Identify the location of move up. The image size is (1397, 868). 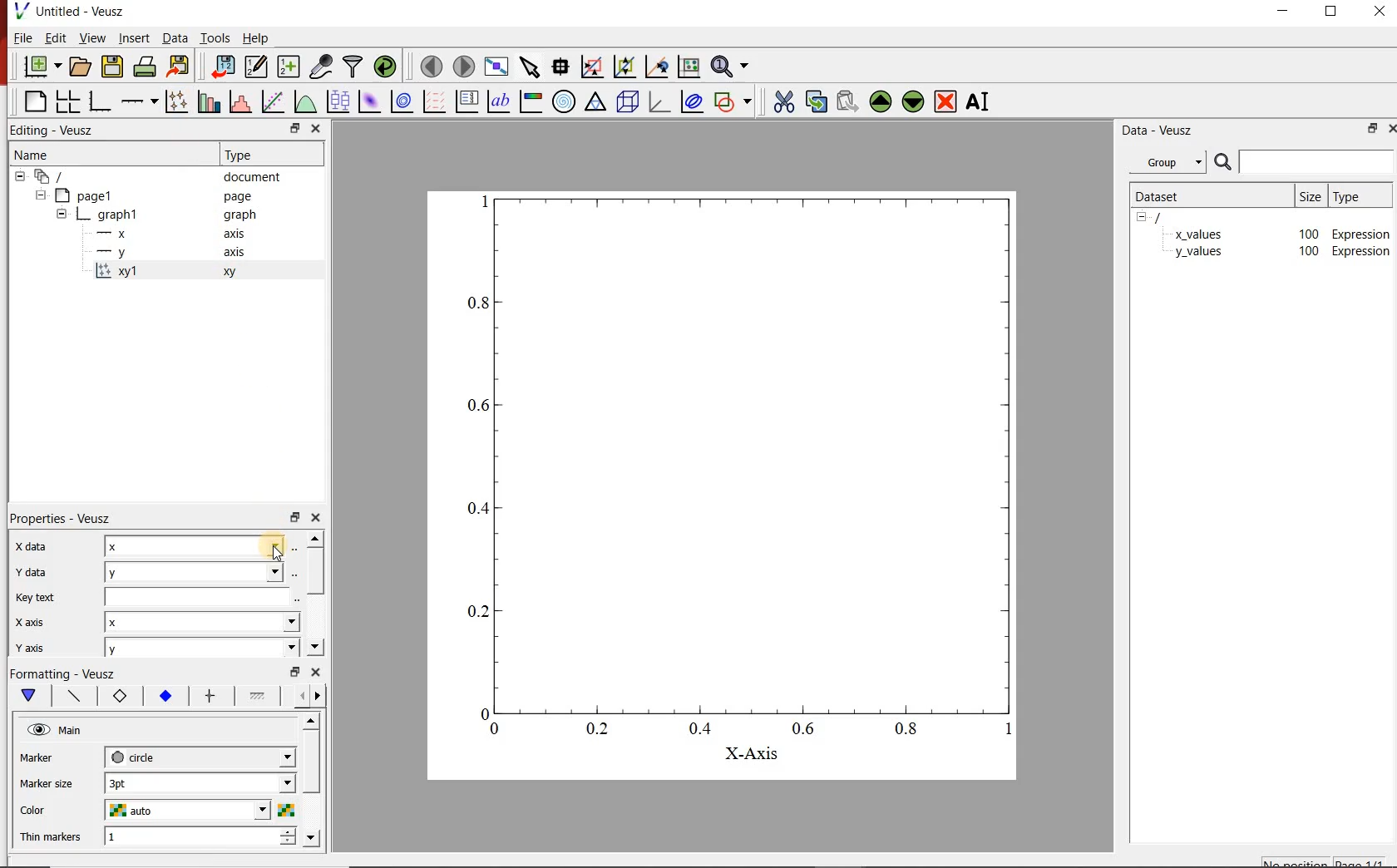
(310, 722).